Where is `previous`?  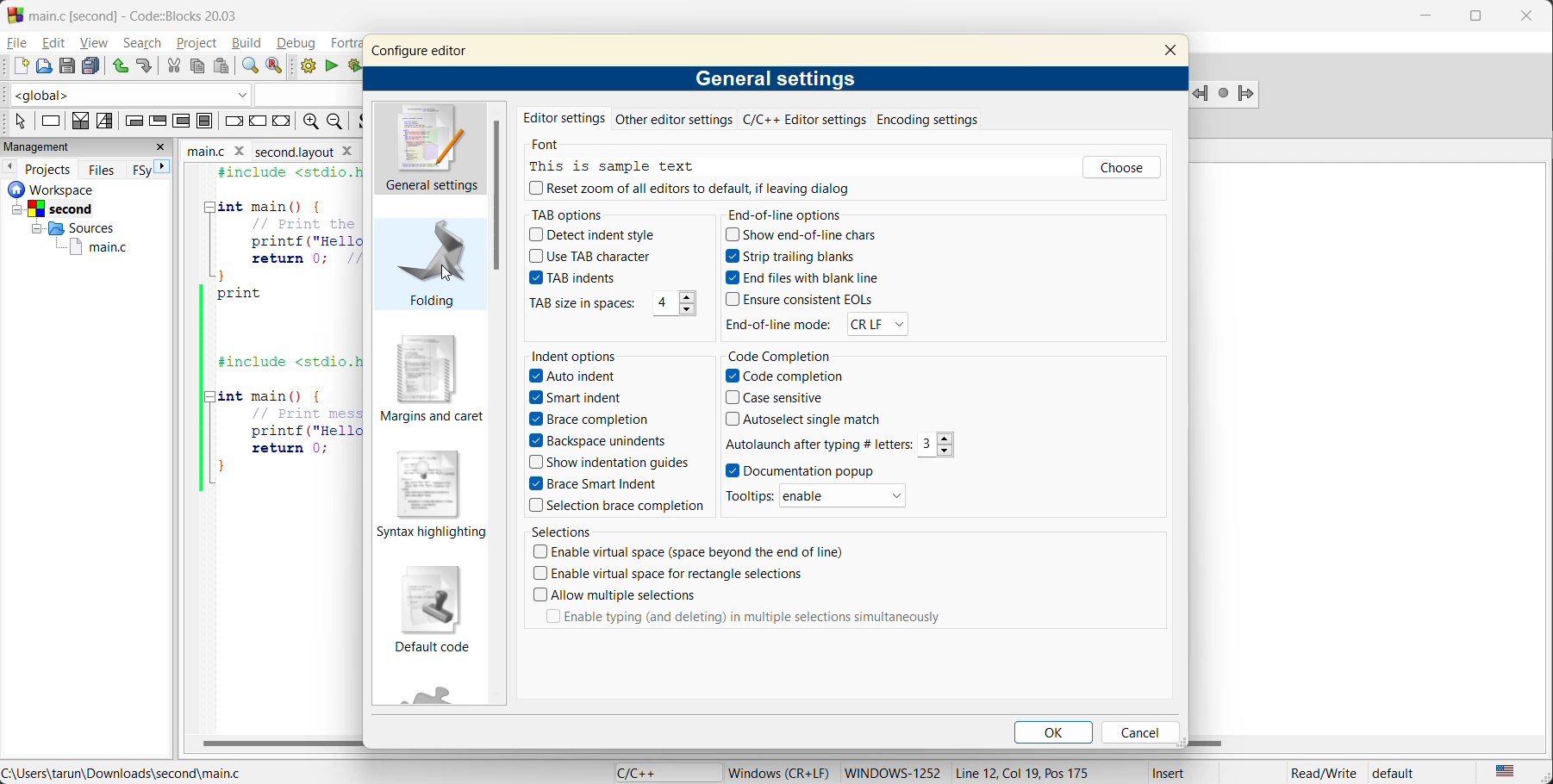 previous is located at coordinates (9, 168).